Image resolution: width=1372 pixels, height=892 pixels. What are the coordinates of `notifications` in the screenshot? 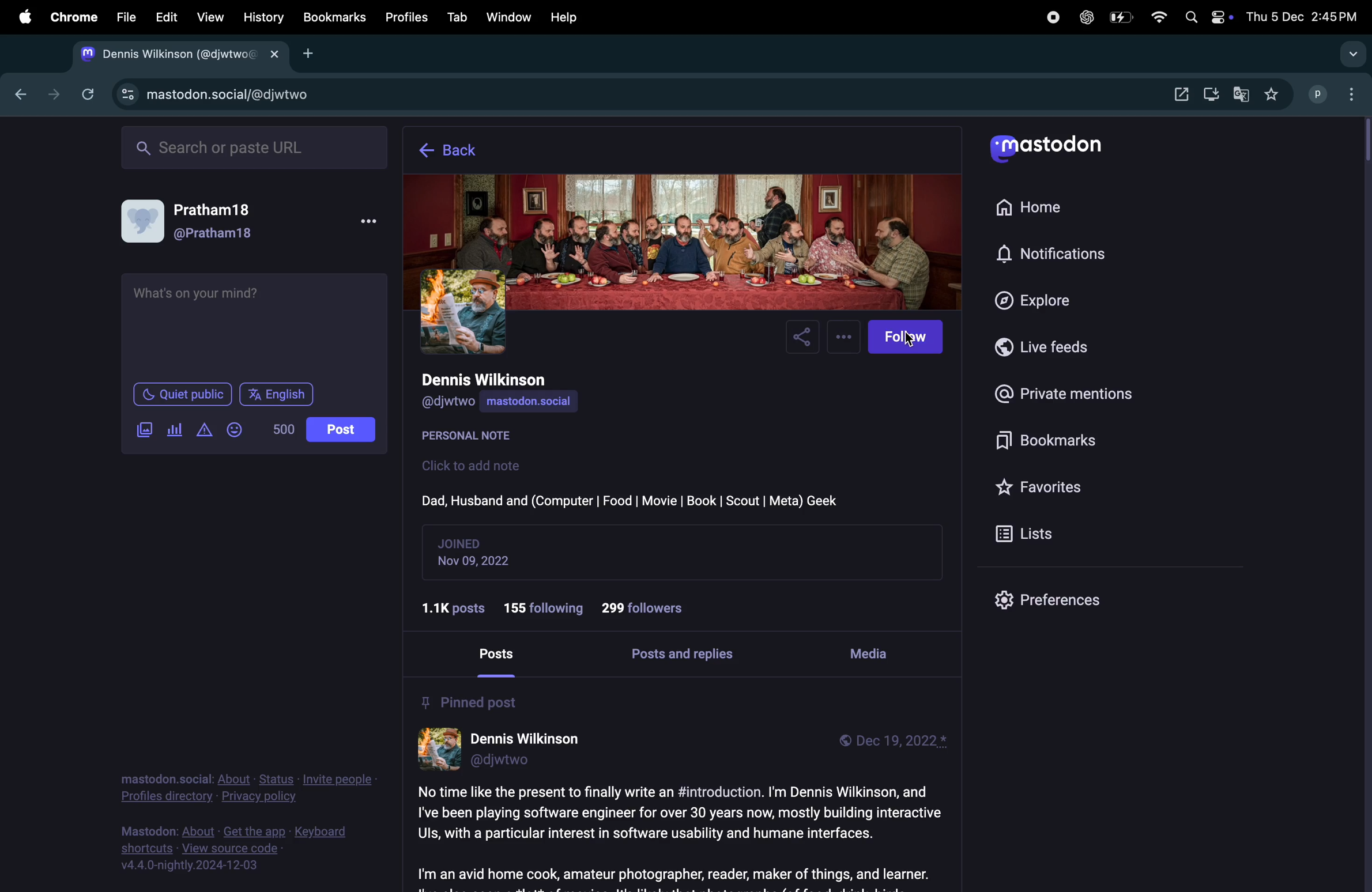 It's located at (1050, 254).